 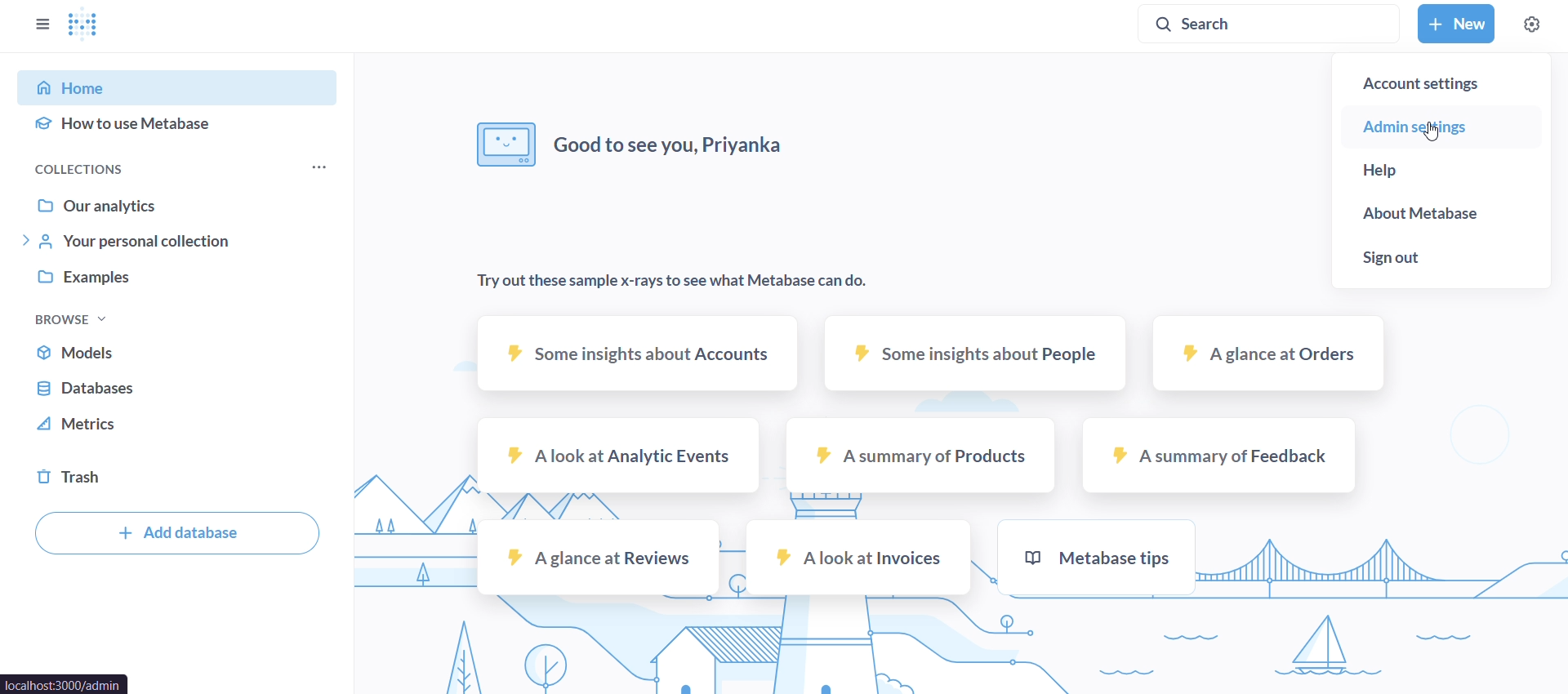 What do you see at coordinates (76, 318) in the screenshot?
I see `browse` at bounding box center [76, 318].